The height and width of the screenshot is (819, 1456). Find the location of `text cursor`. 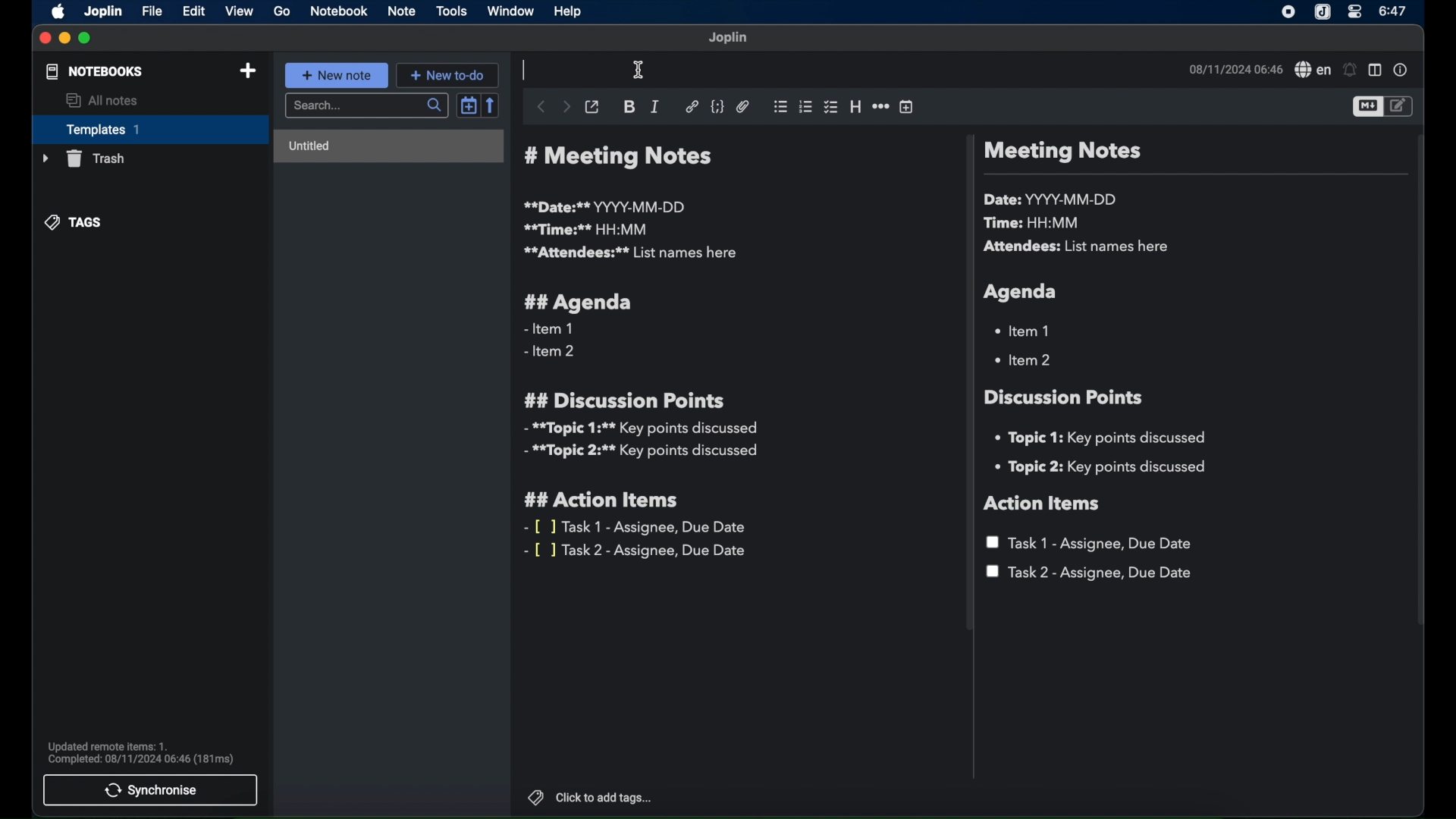

text cursor is located at coordinates (638, 71).